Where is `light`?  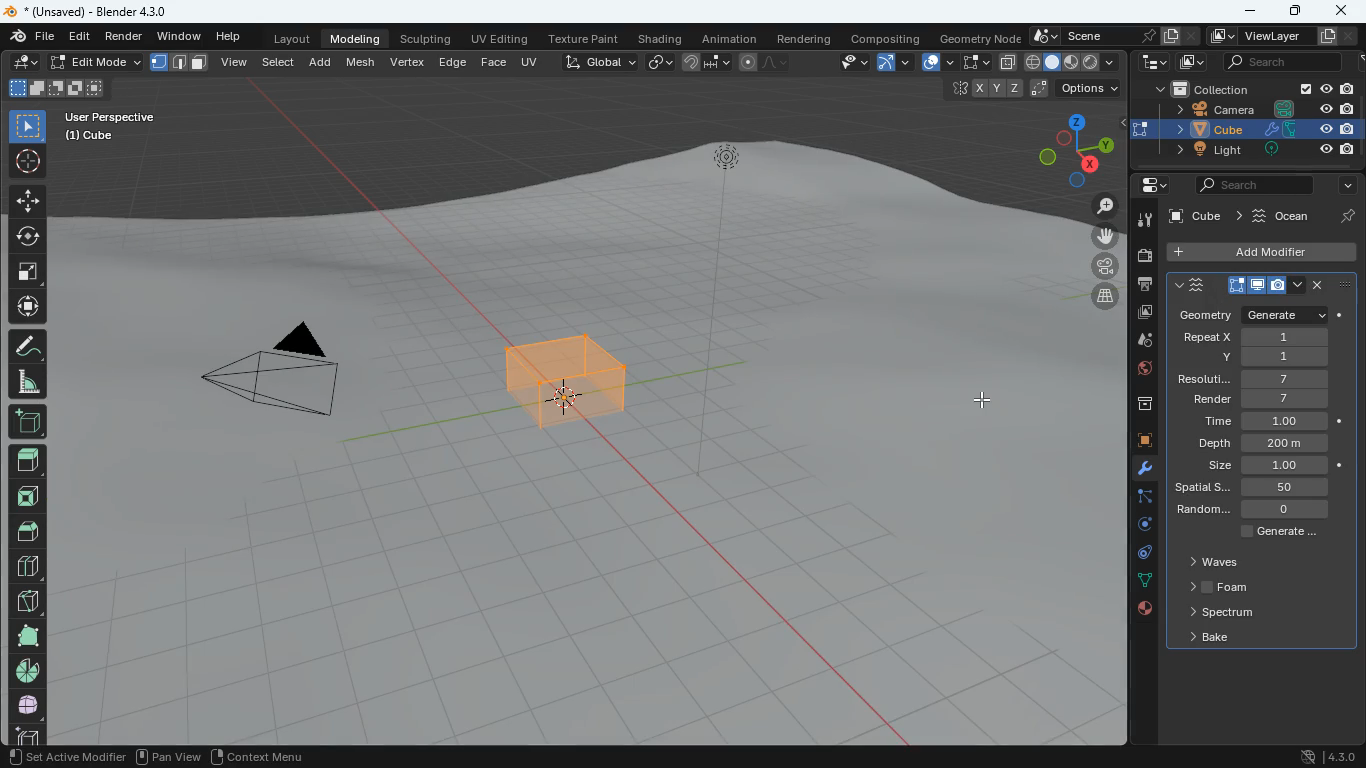 light is located at coordinates (727, 216).